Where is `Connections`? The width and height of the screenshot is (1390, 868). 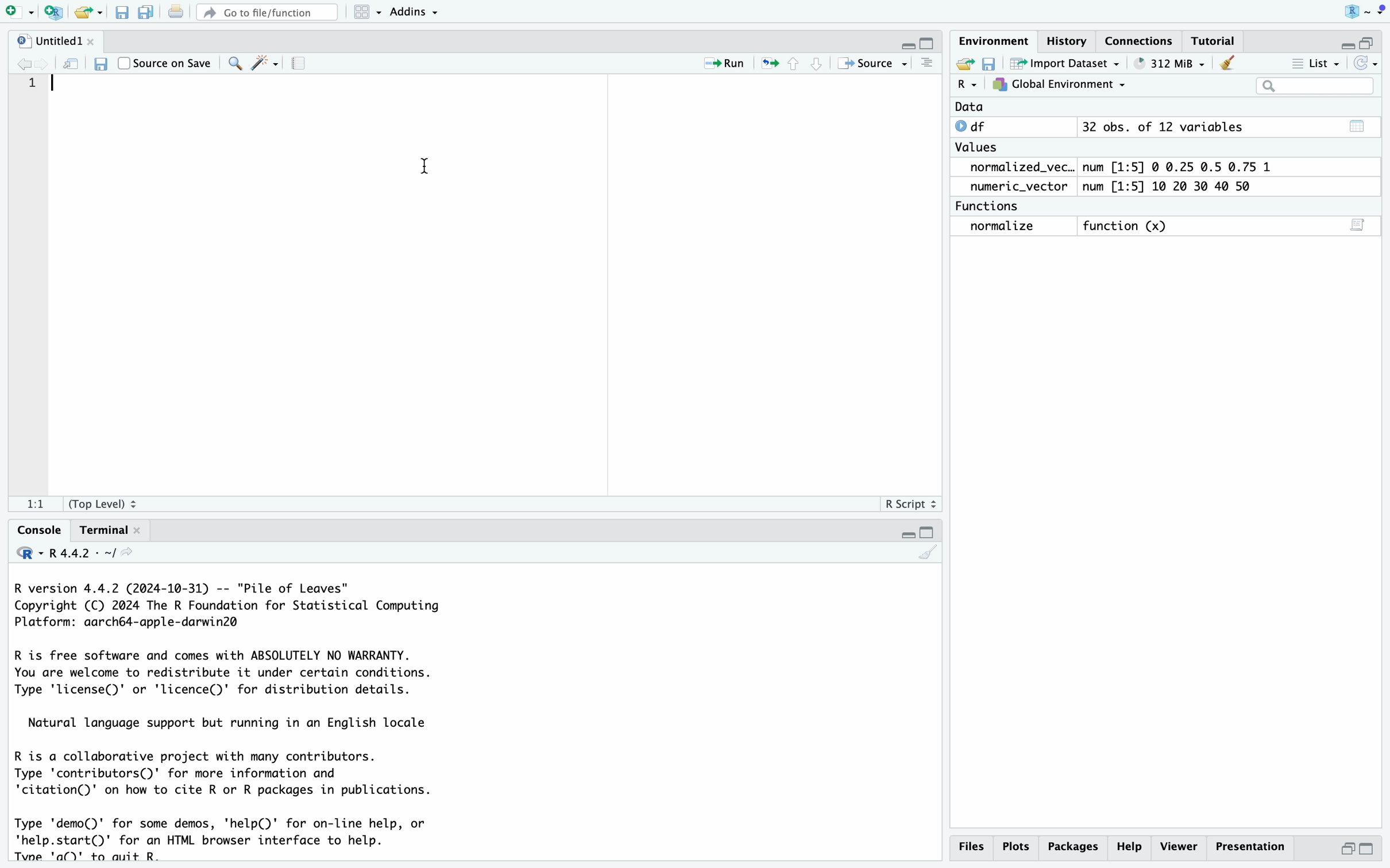 Connections is located at coordinates (1143, 40).